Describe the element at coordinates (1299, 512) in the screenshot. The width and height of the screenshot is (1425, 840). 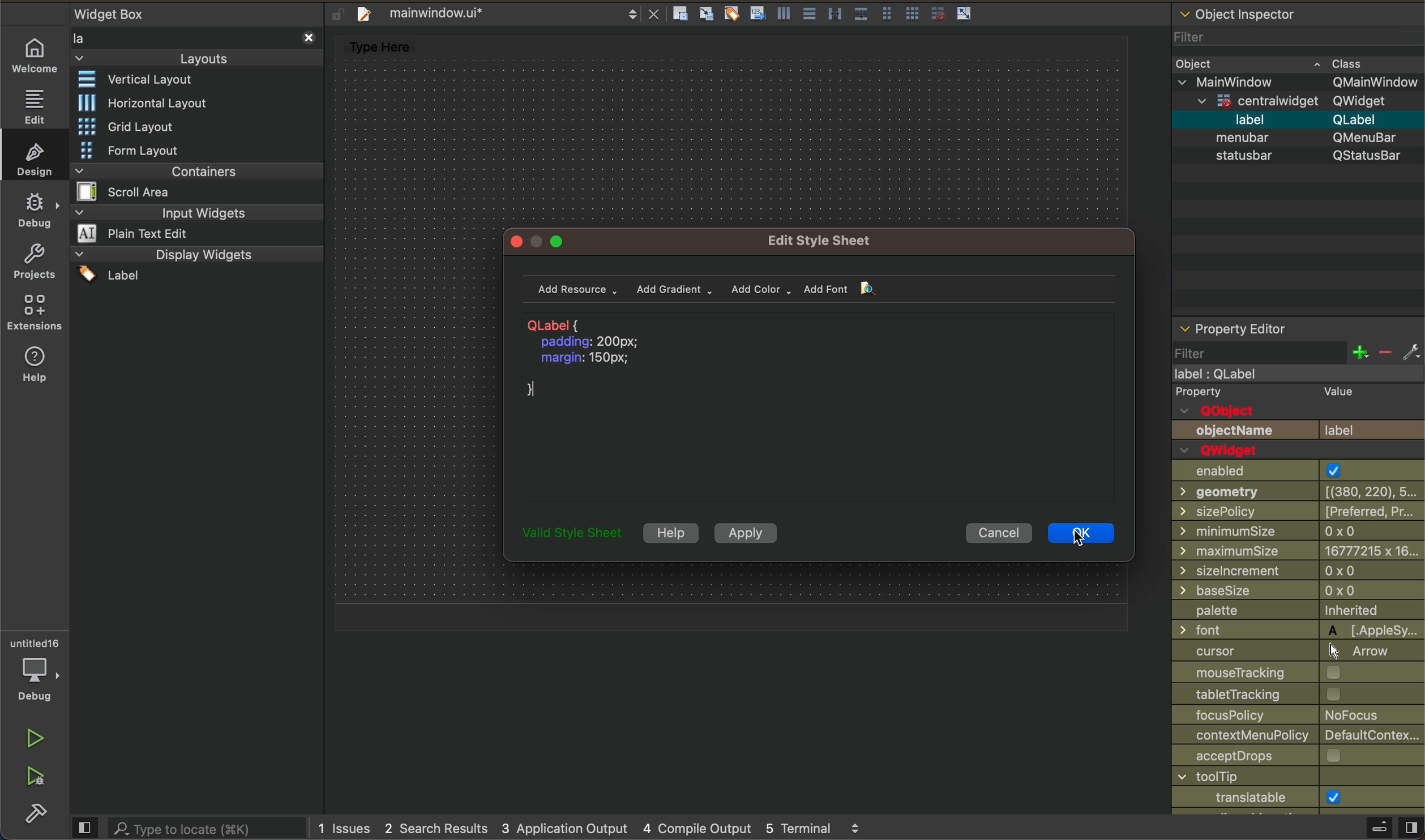
I see `size policy` at that location.